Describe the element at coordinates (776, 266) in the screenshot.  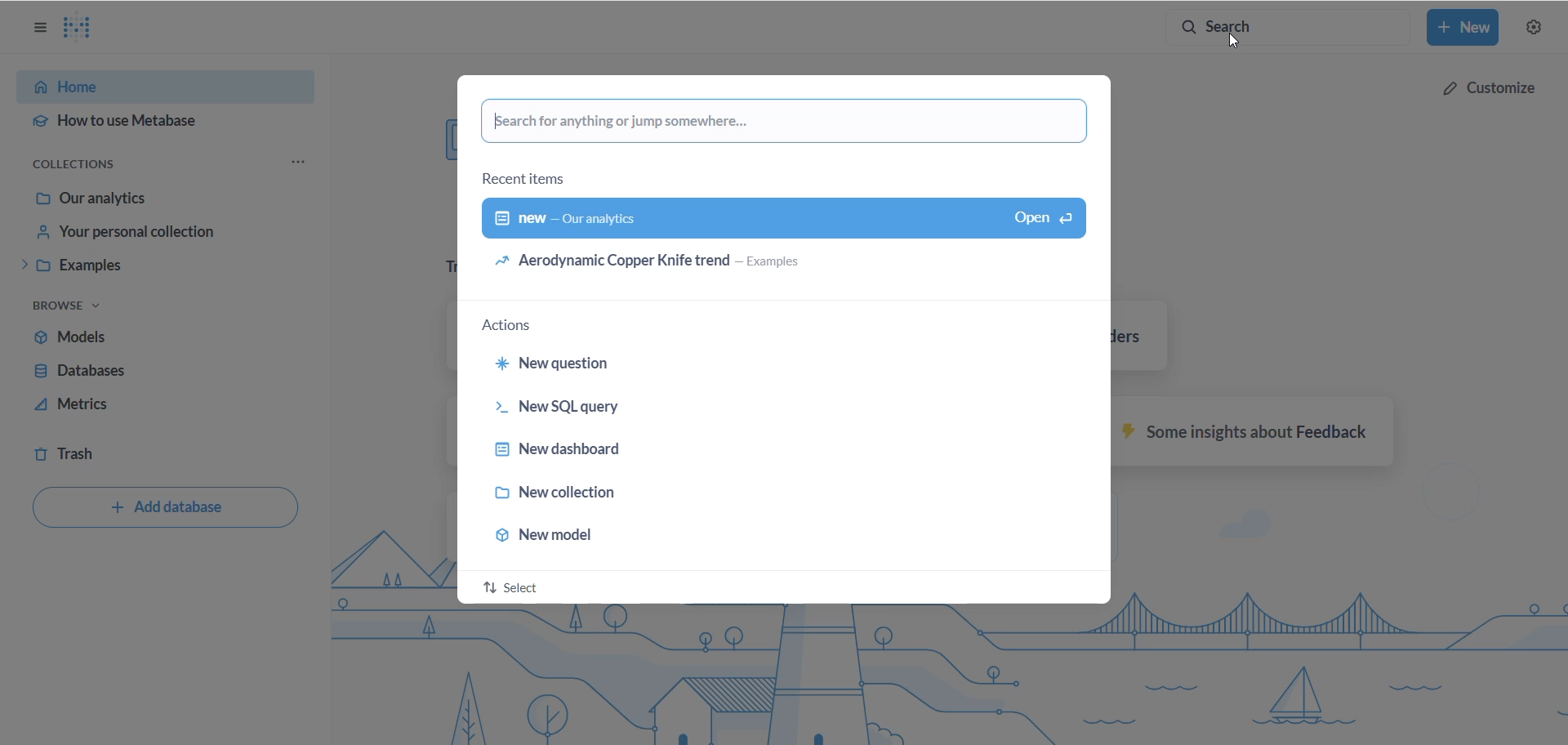
I see `example` at that location.